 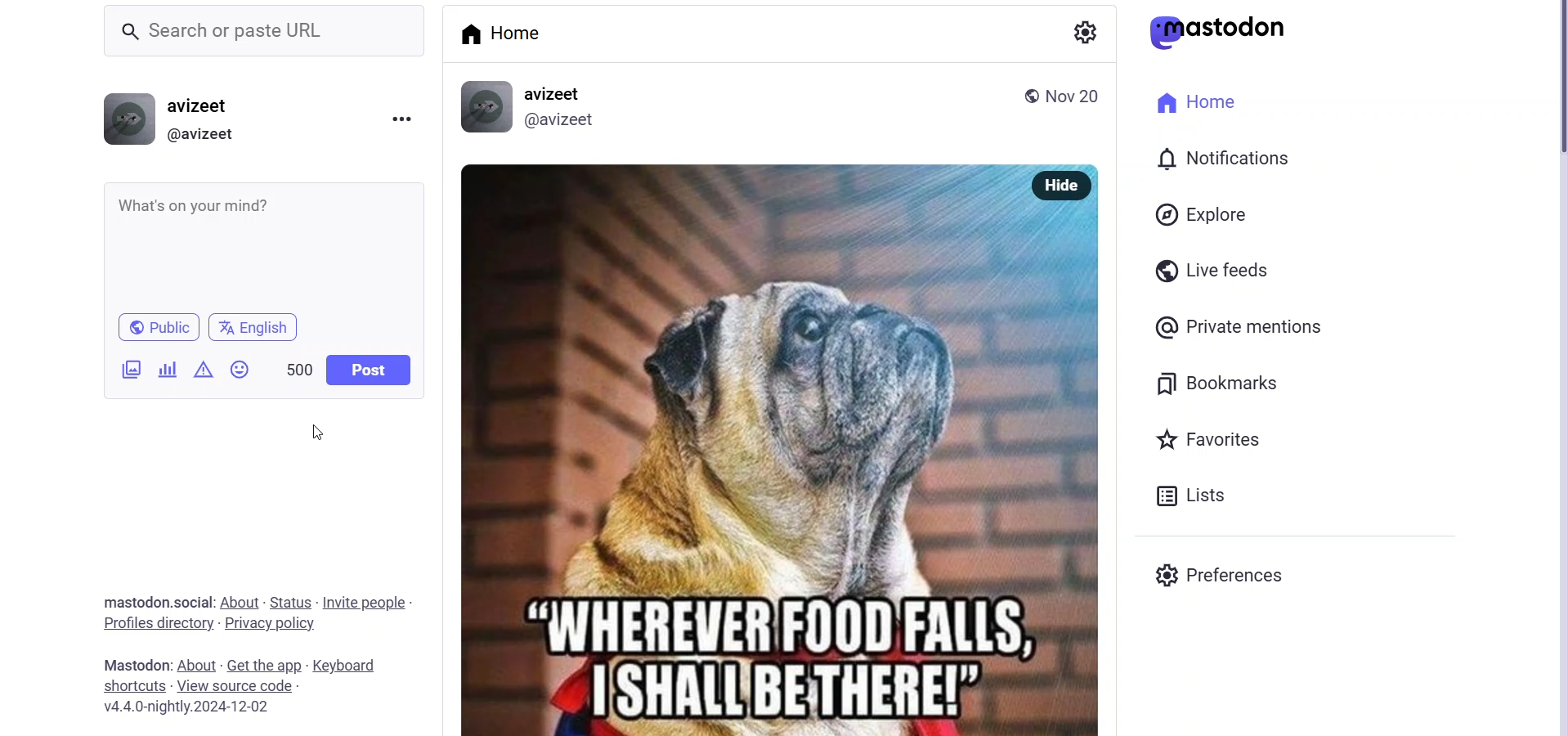 I want to click on posted picture, so click(x=741, y=451).